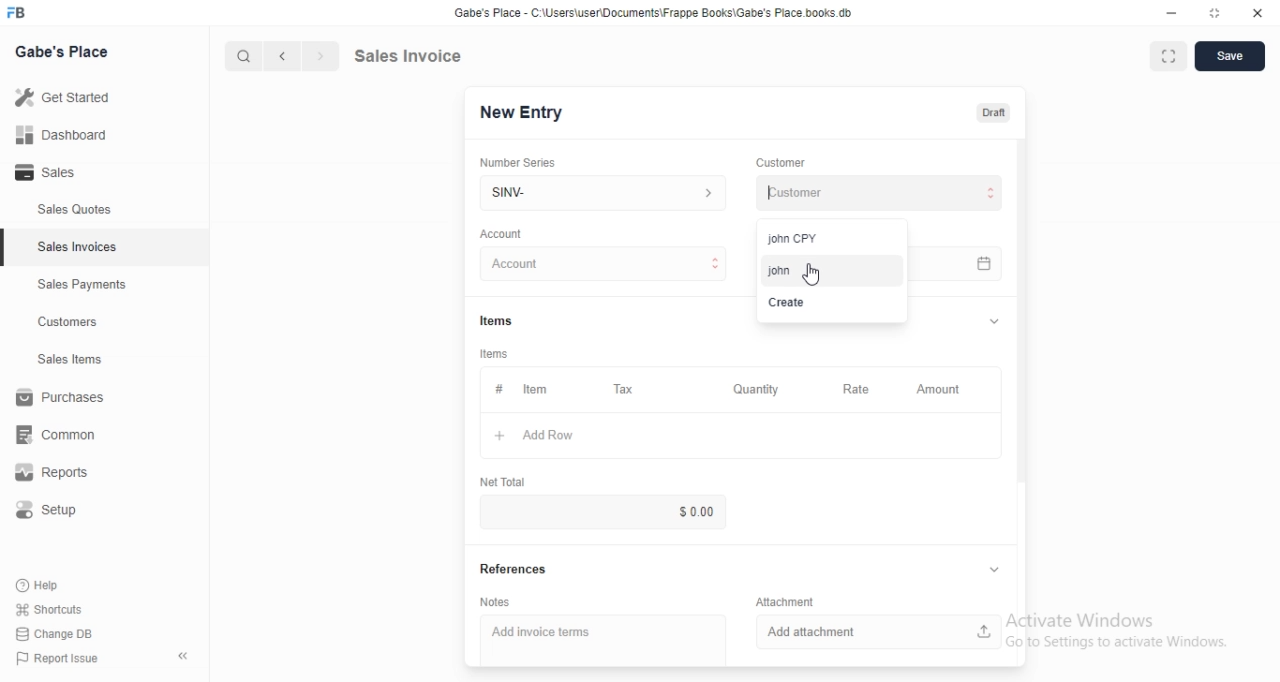  Describe the element at coordinates (64, 175) in the screenshot. I see `- Sales` at that location.